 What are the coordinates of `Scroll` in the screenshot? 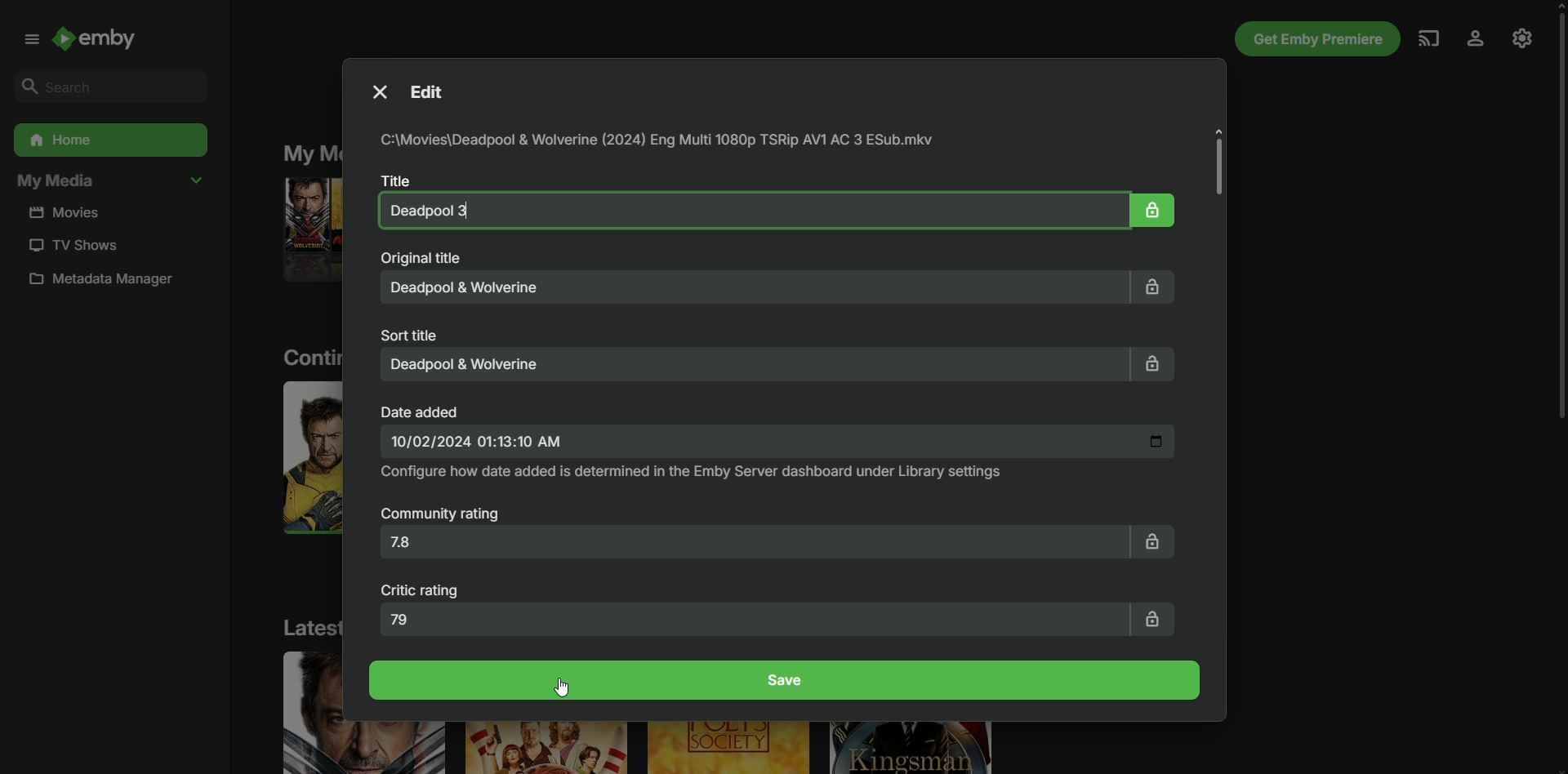 It's located at (1555, 220).